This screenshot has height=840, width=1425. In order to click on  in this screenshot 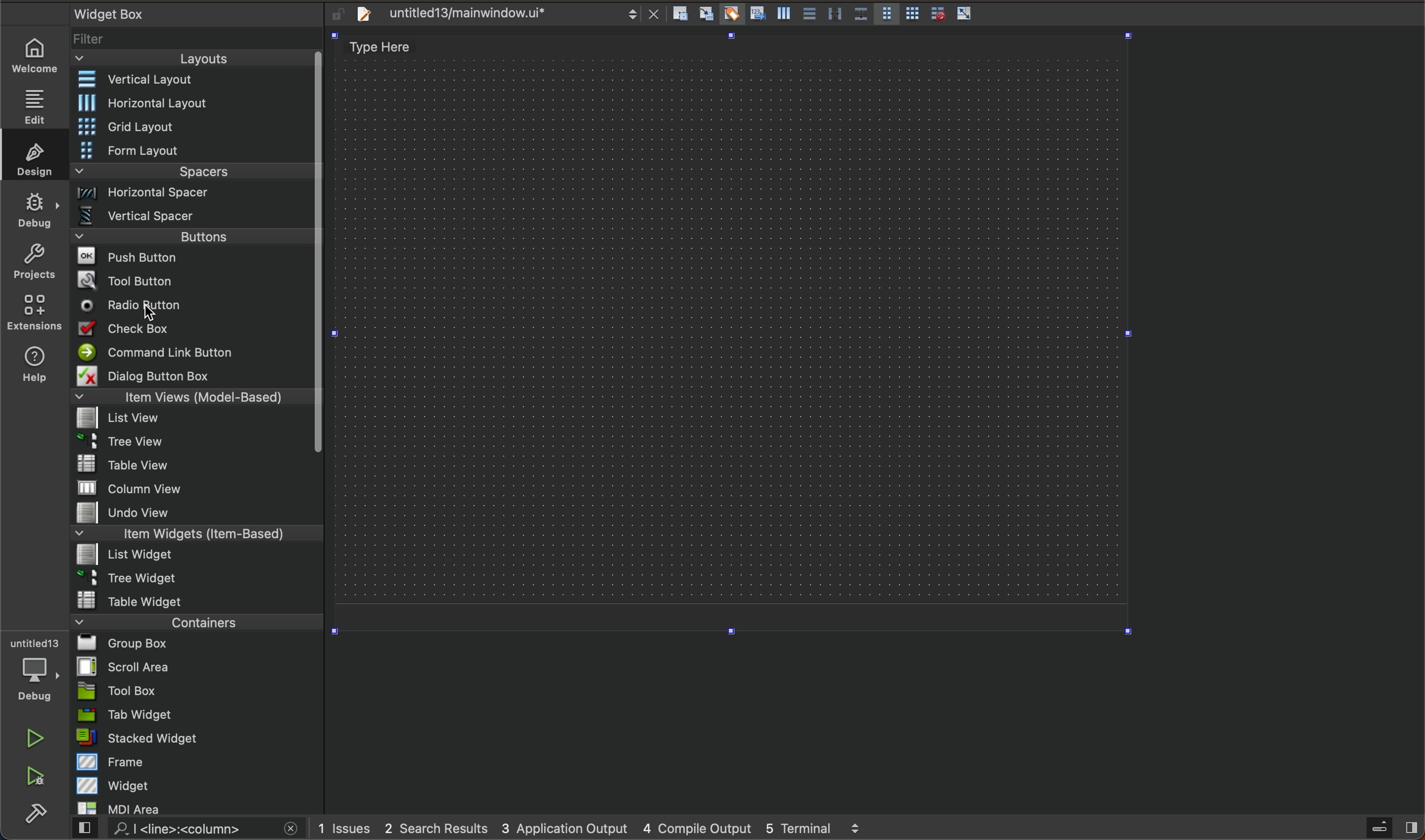, I will do `click(194, 152)`.